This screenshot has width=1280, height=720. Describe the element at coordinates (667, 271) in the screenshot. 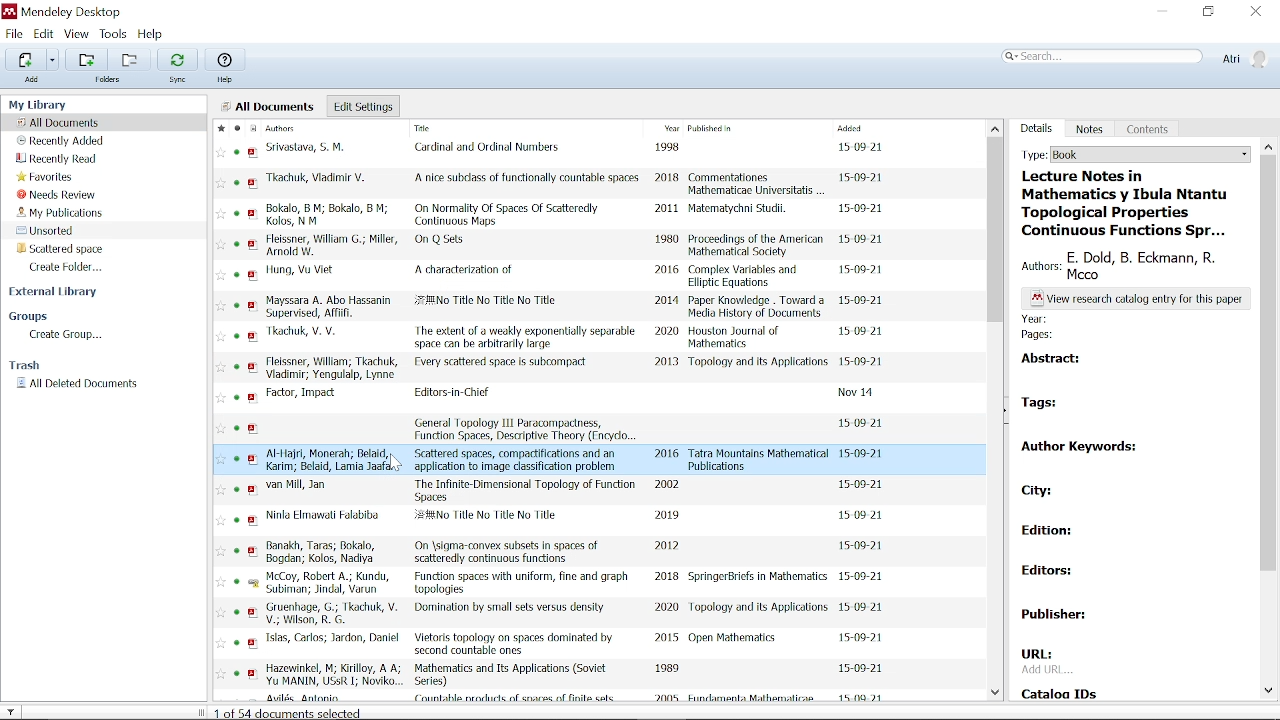

I see `2016` at that location.